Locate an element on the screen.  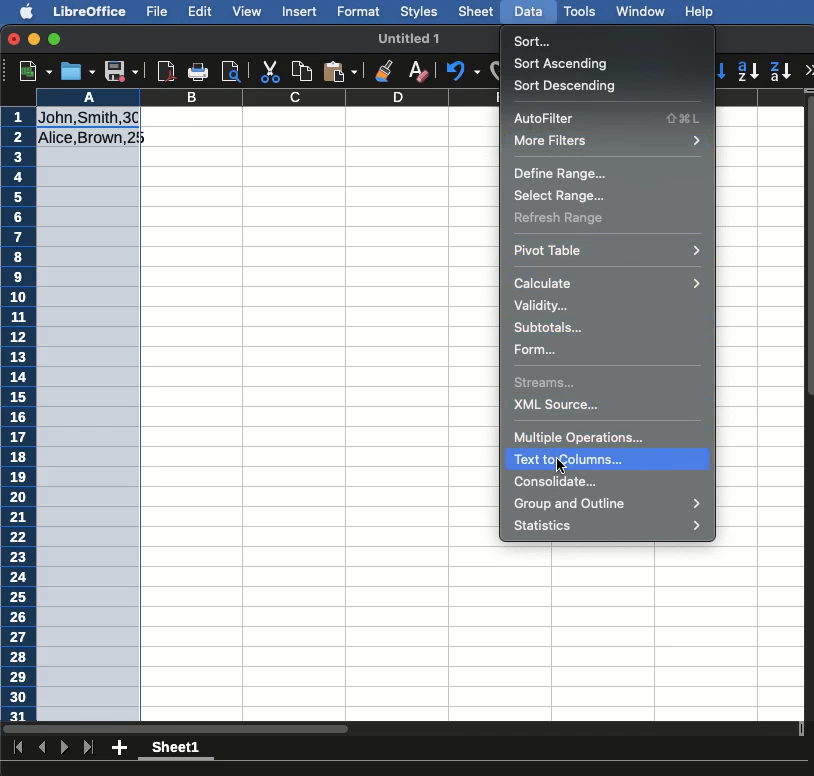
Scroll is located at coordinates (809, 424).